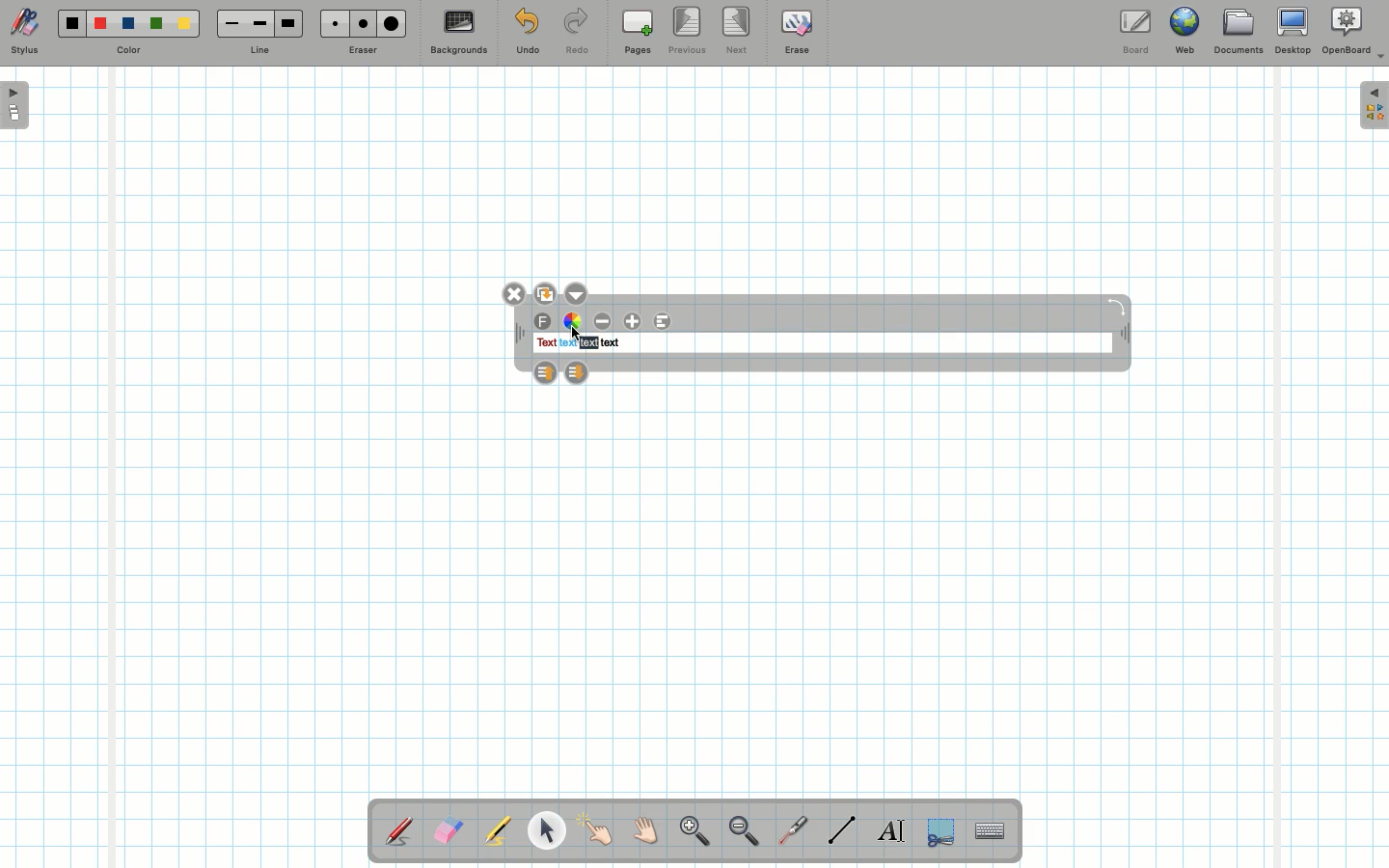  I want to click on Options, so click(581, 292).